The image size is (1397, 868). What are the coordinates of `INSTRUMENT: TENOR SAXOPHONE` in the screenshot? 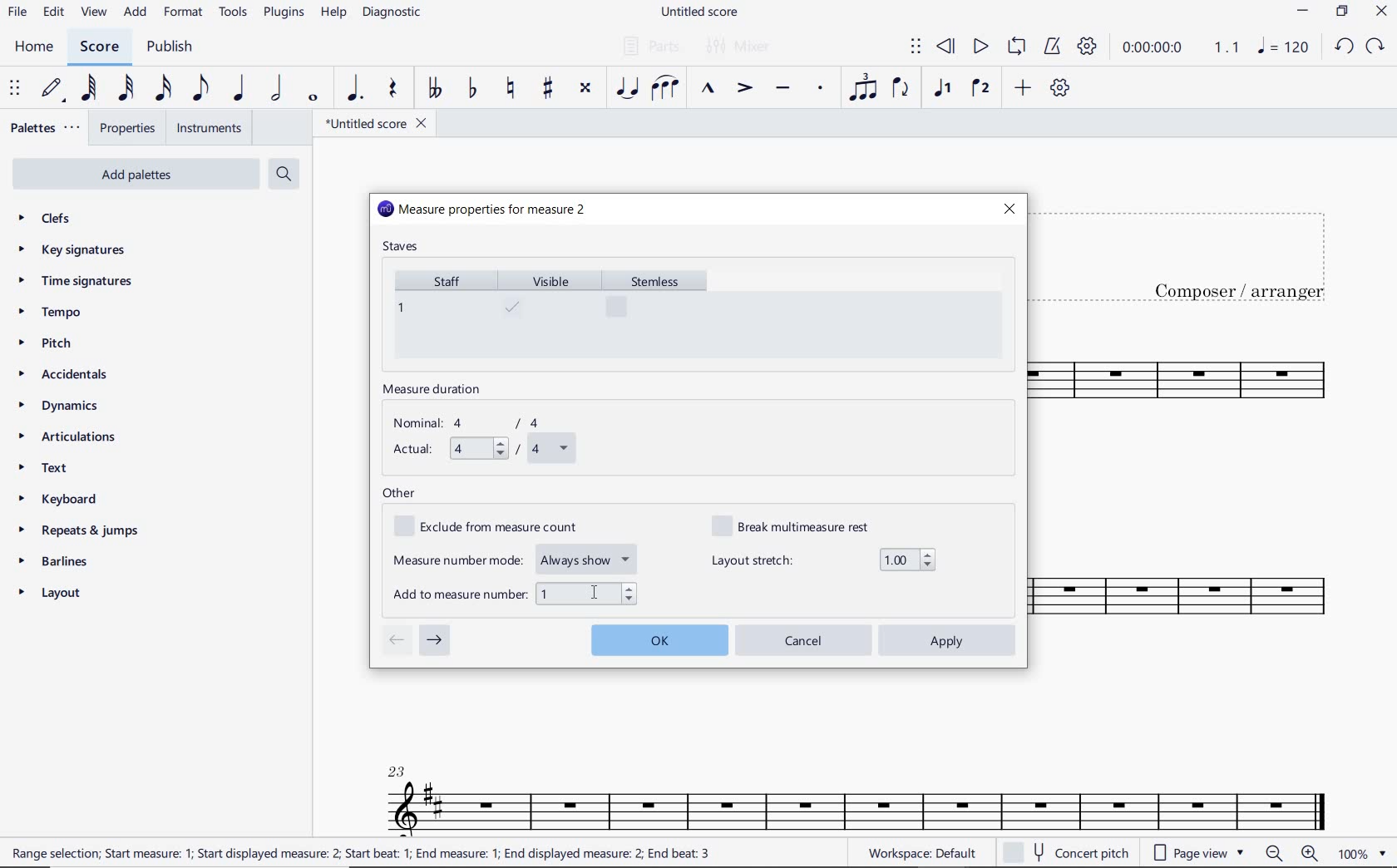 It's located at (857, 787).